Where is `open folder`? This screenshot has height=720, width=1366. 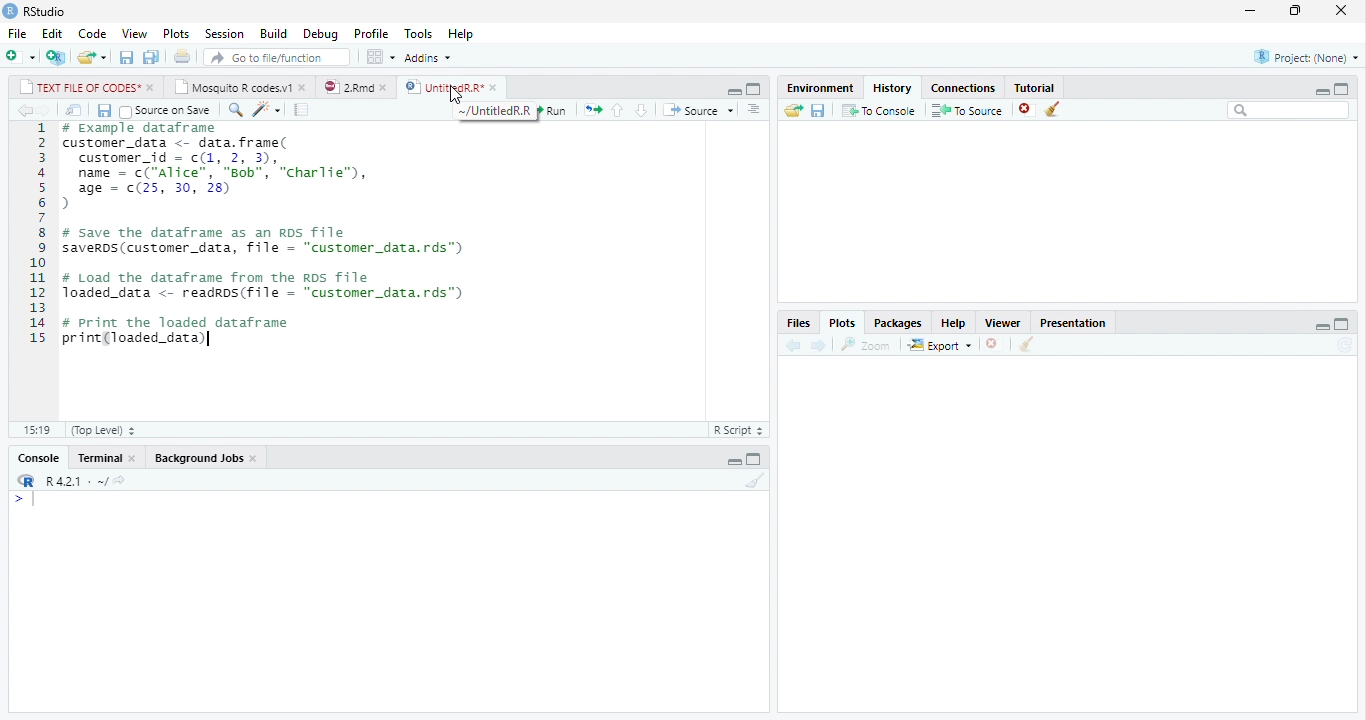 open folder is located at coordinates (794, 110).